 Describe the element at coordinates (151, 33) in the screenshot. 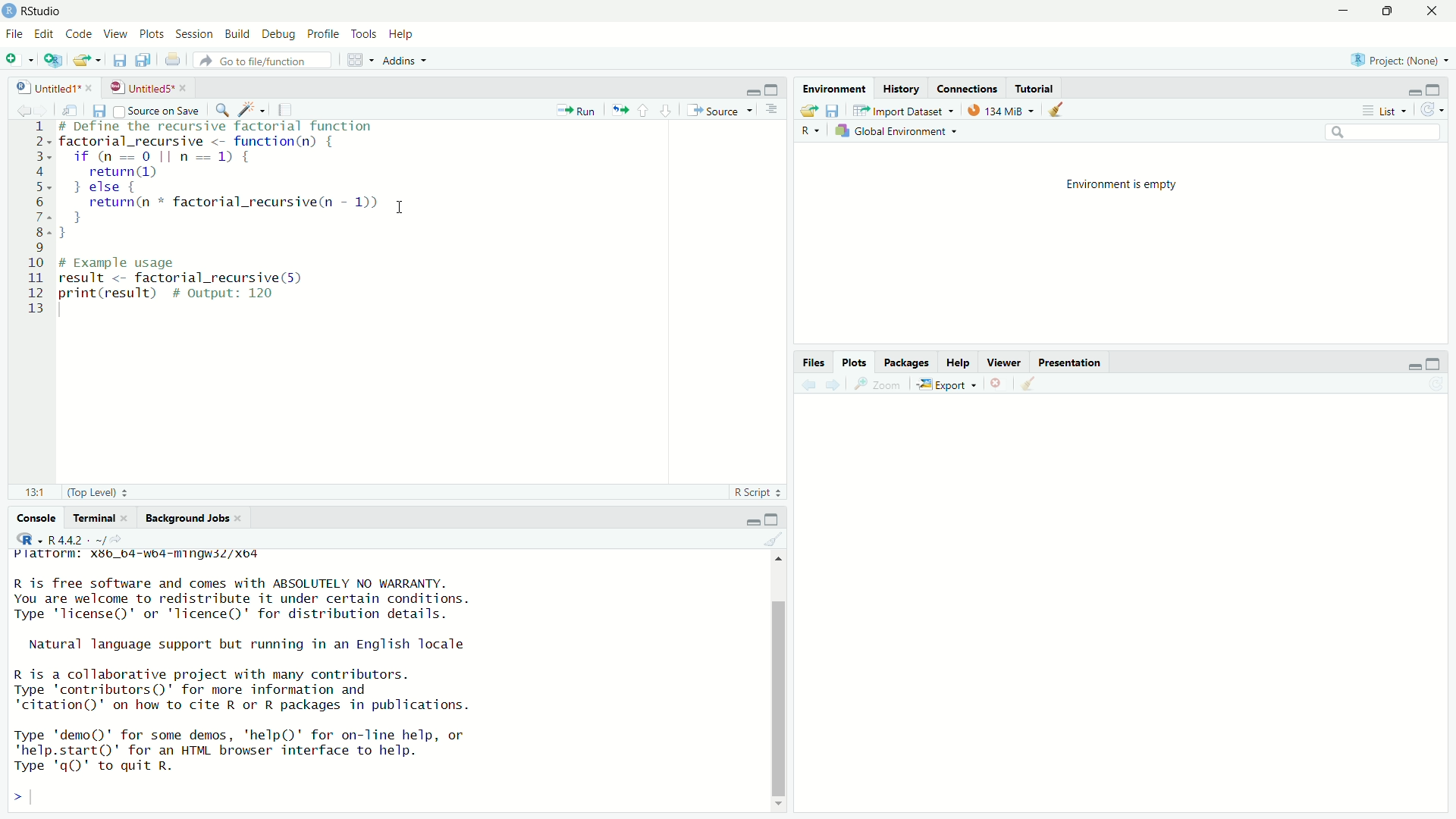

I see `Plots` at that location.